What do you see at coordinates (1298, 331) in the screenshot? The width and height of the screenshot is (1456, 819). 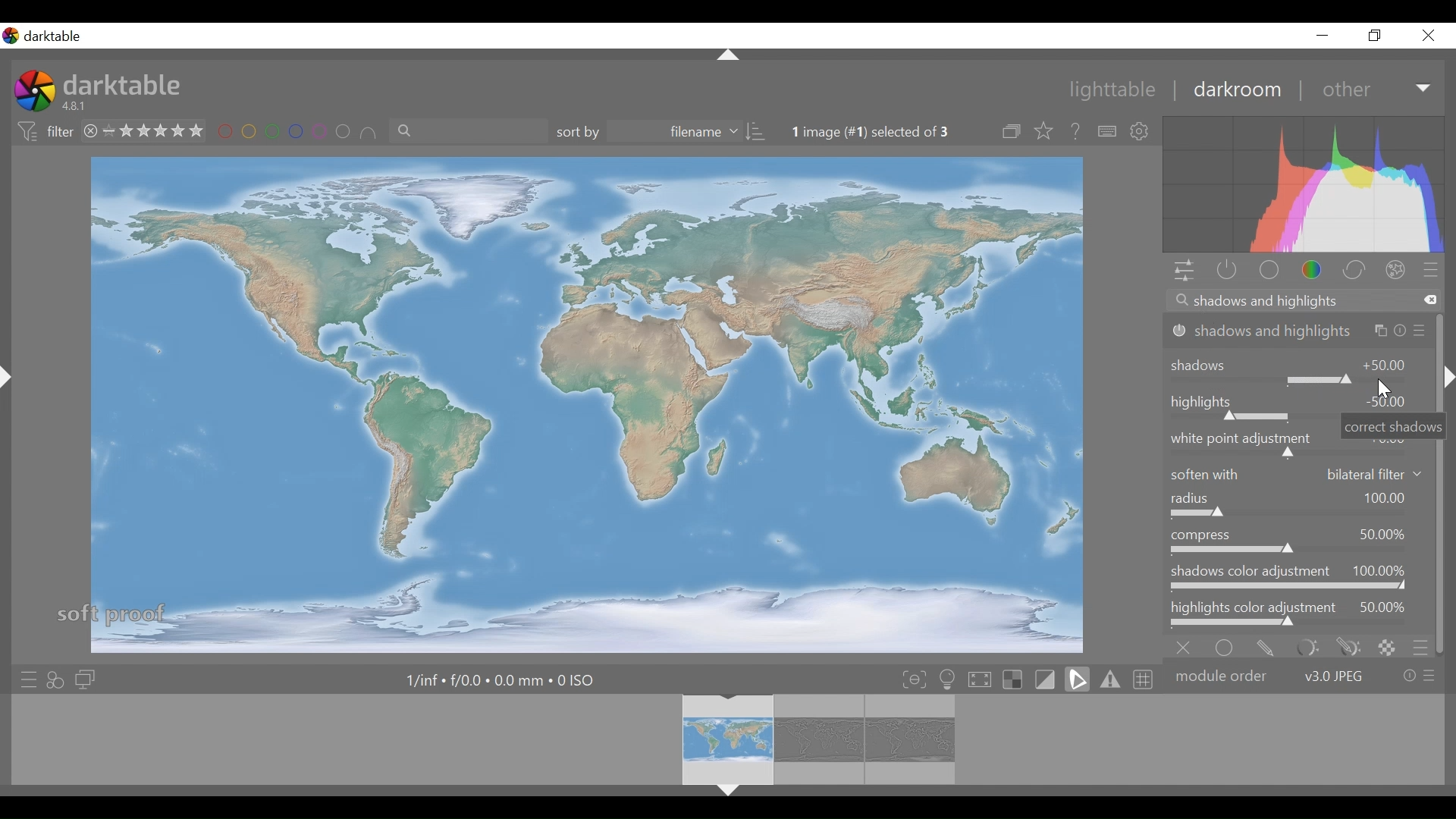 I see `shadows and highlights` at bounding box center [1298, 331].